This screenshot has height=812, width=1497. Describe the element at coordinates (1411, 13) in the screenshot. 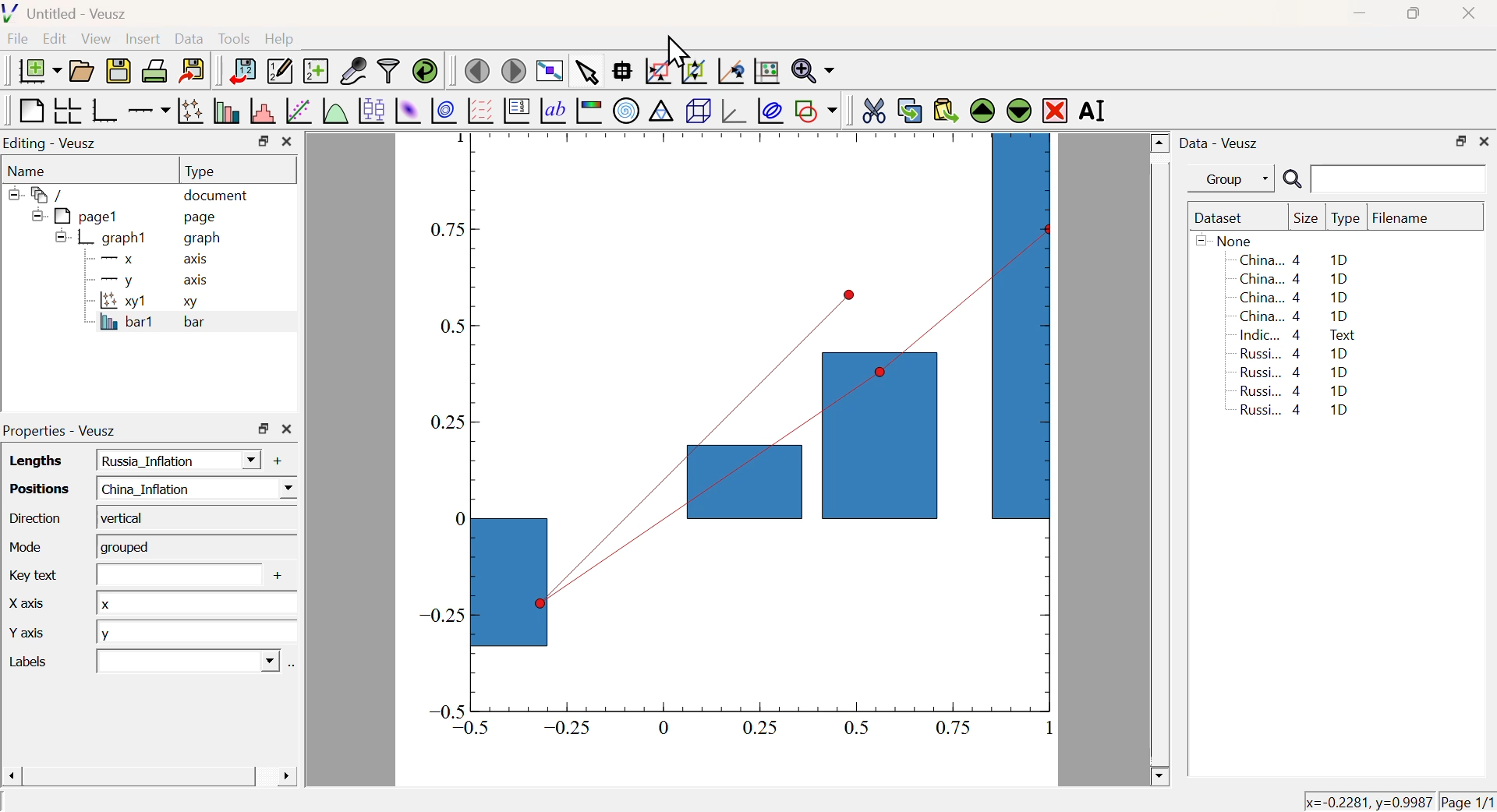

I see `Restore Down` at that location.